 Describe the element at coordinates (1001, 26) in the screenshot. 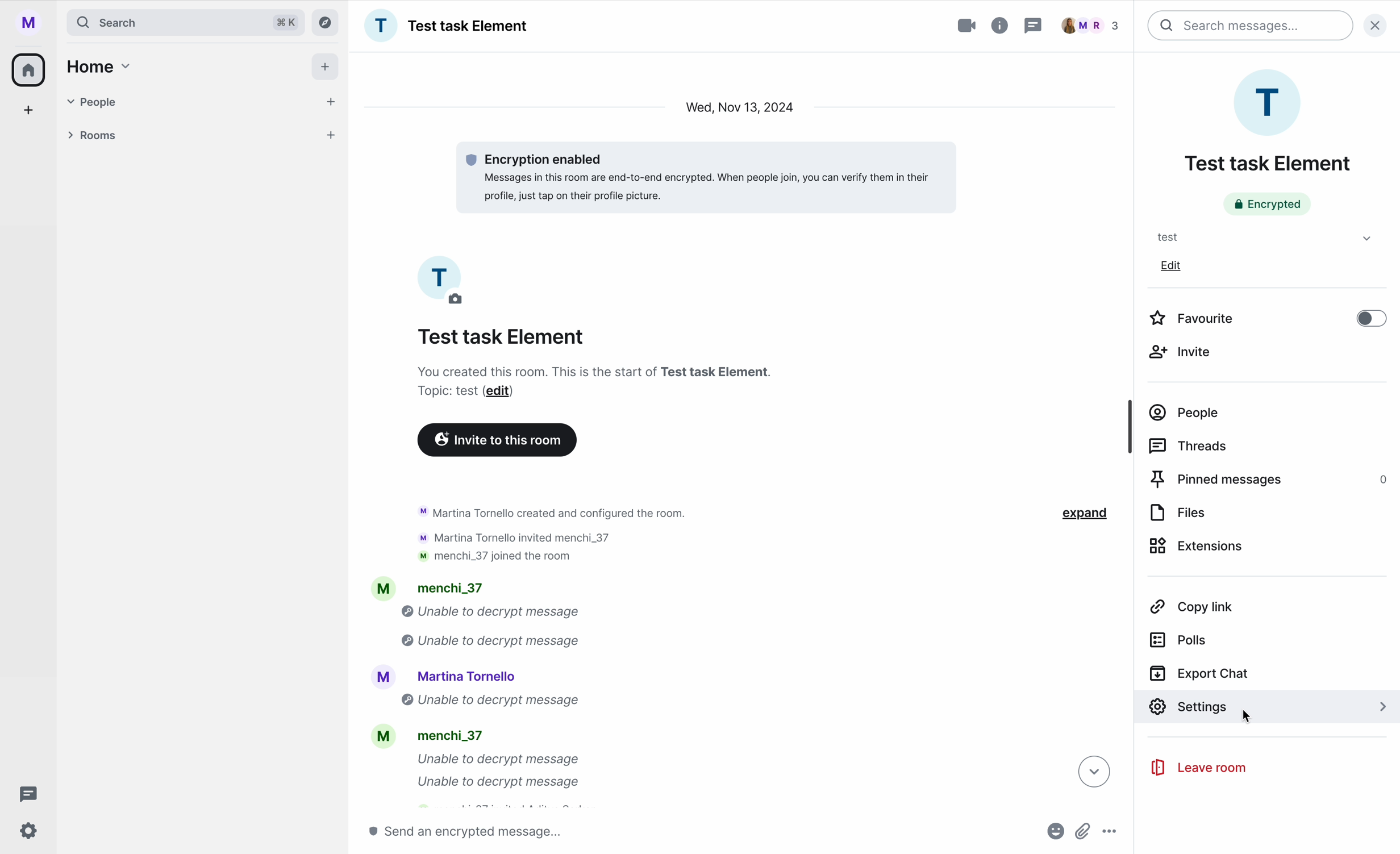

I see `room info` at that location.